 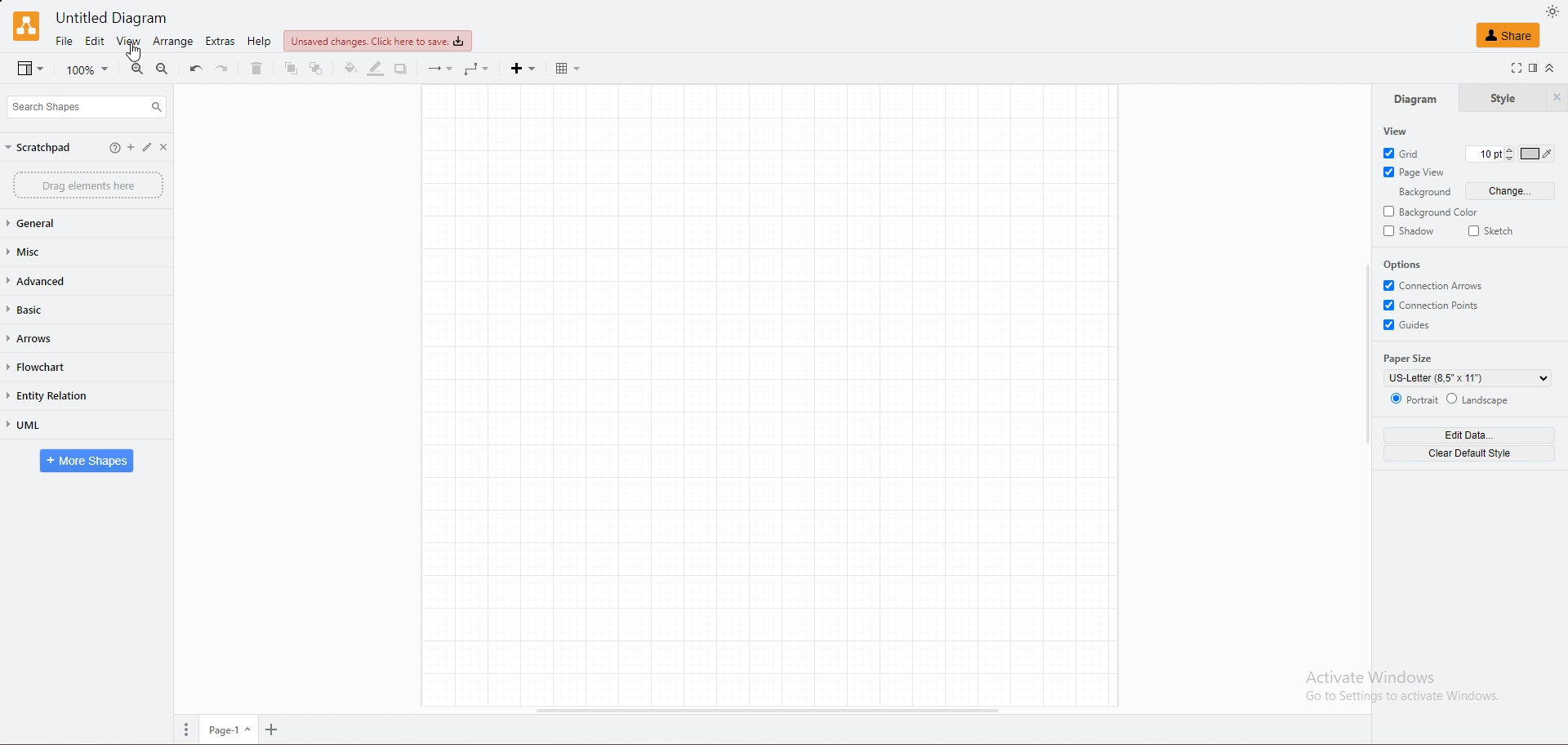 What do you see at coordinates (51, 223) in the screenshot?
I see `general` at bounding box center [51, 223].